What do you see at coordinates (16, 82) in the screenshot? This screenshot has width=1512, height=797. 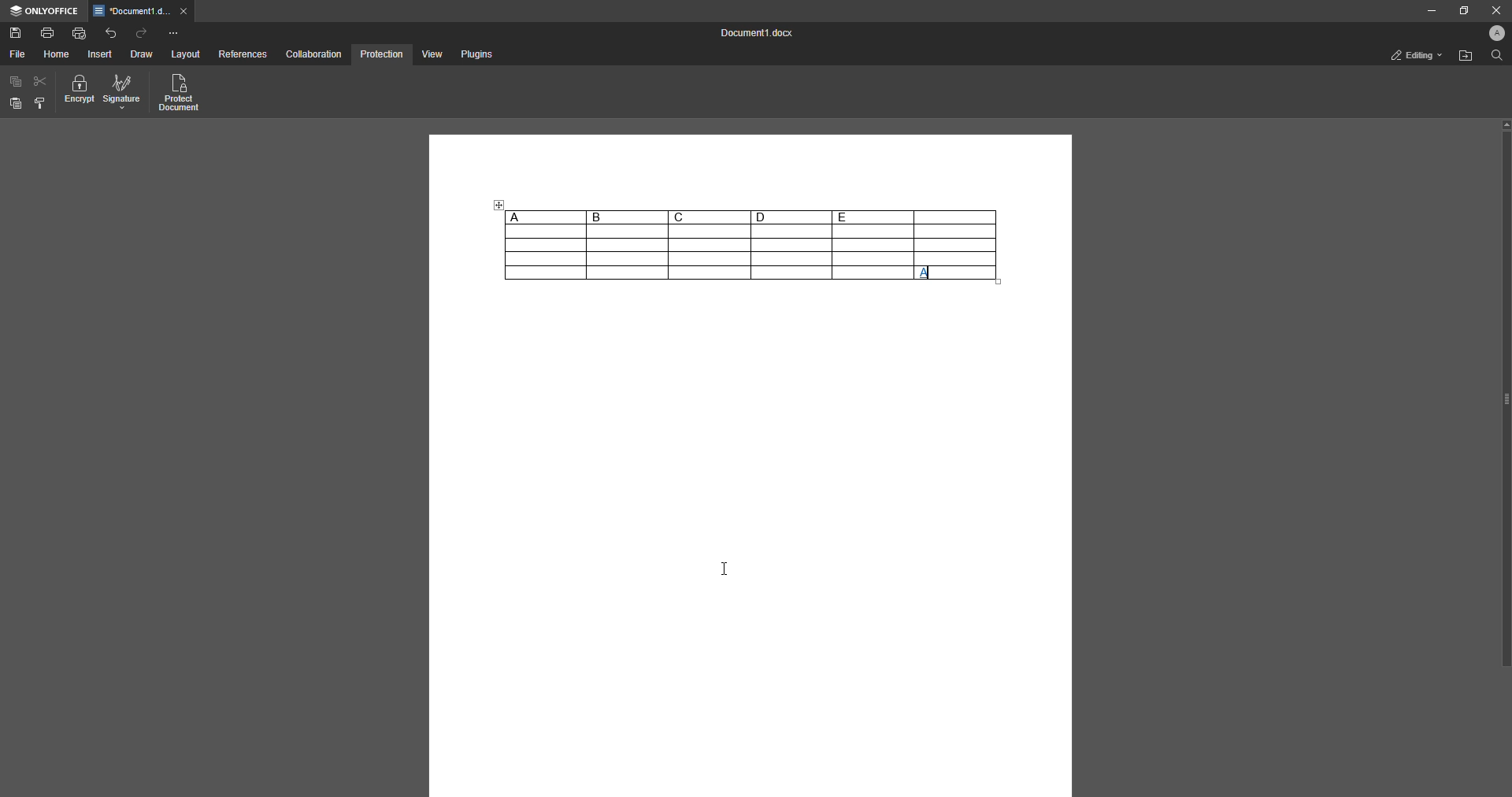 I see `Copy` at bounding box center [16, 82].